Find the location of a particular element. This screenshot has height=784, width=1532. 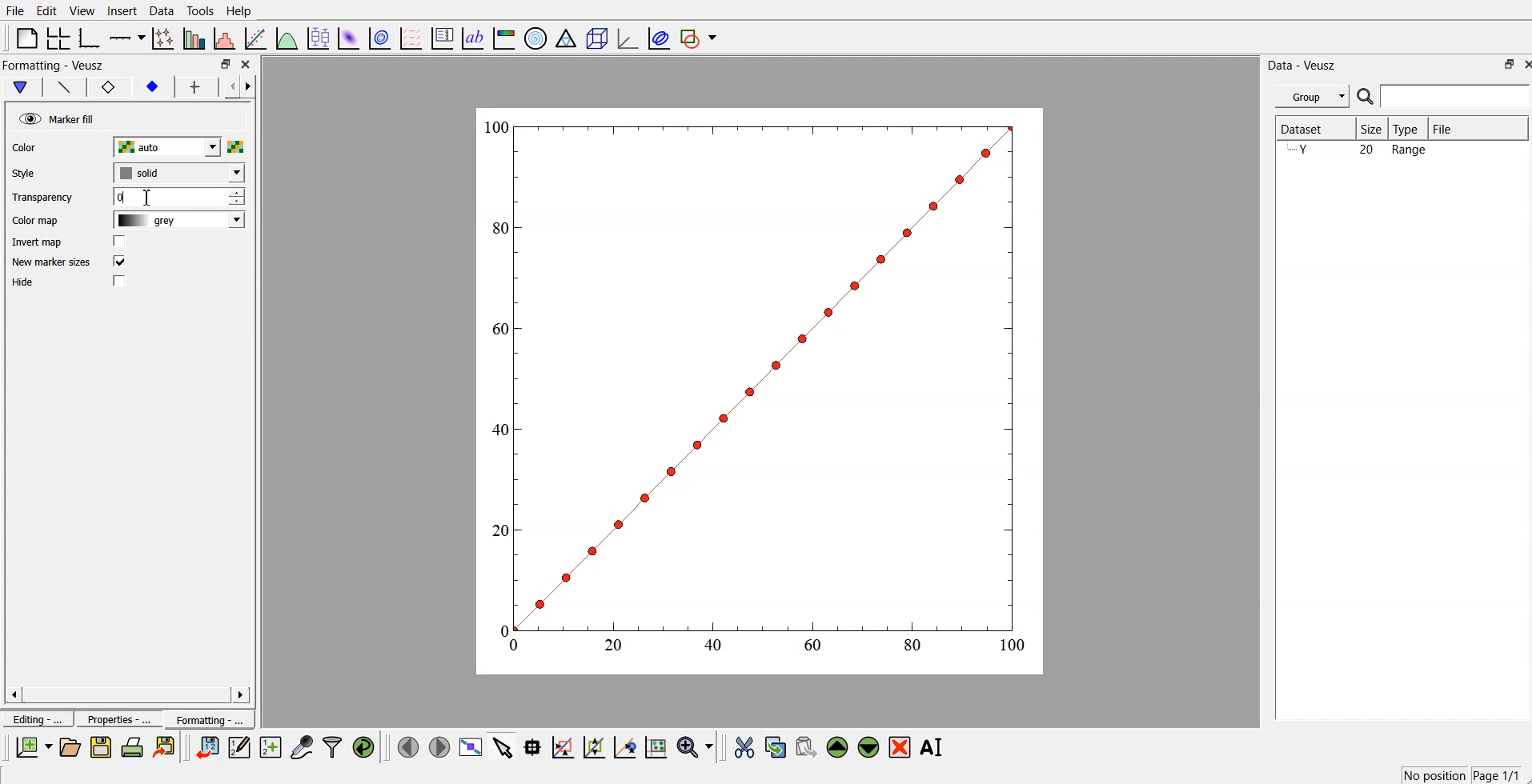

add is located at coordinates (191, 87).